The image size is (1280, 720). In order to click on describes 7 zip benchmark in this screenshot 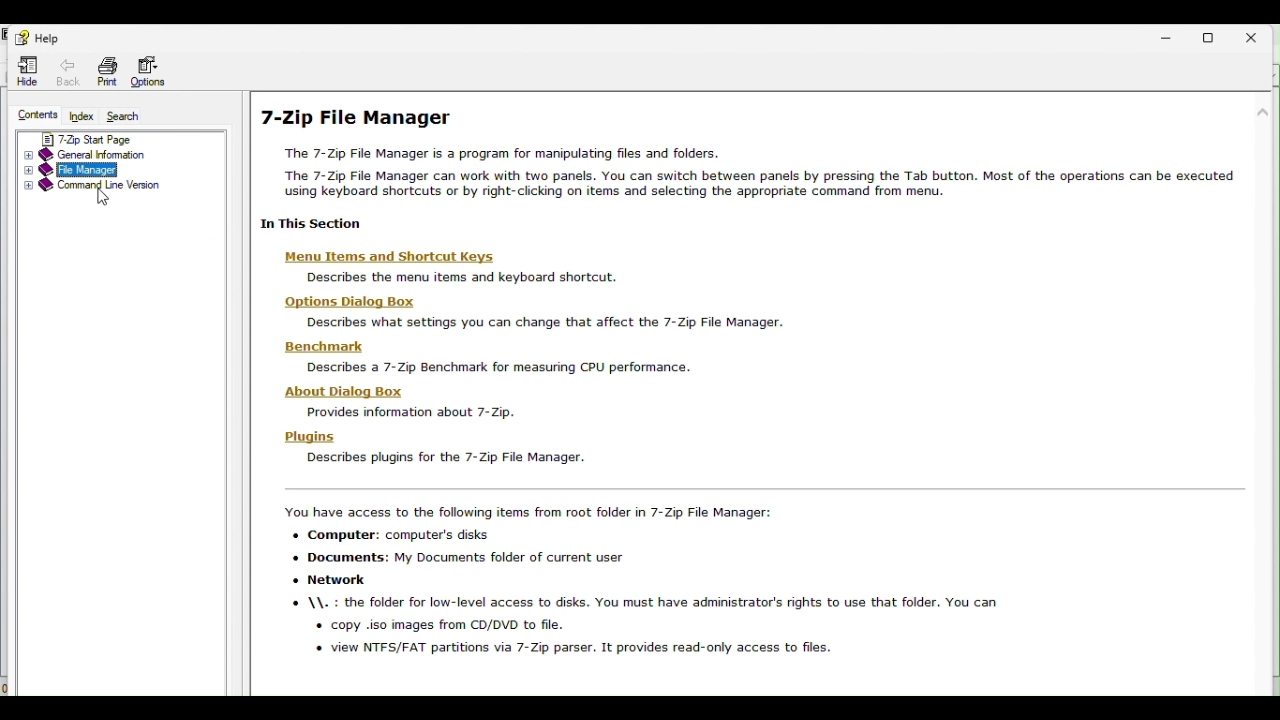, I will do `click(499, 369)`.